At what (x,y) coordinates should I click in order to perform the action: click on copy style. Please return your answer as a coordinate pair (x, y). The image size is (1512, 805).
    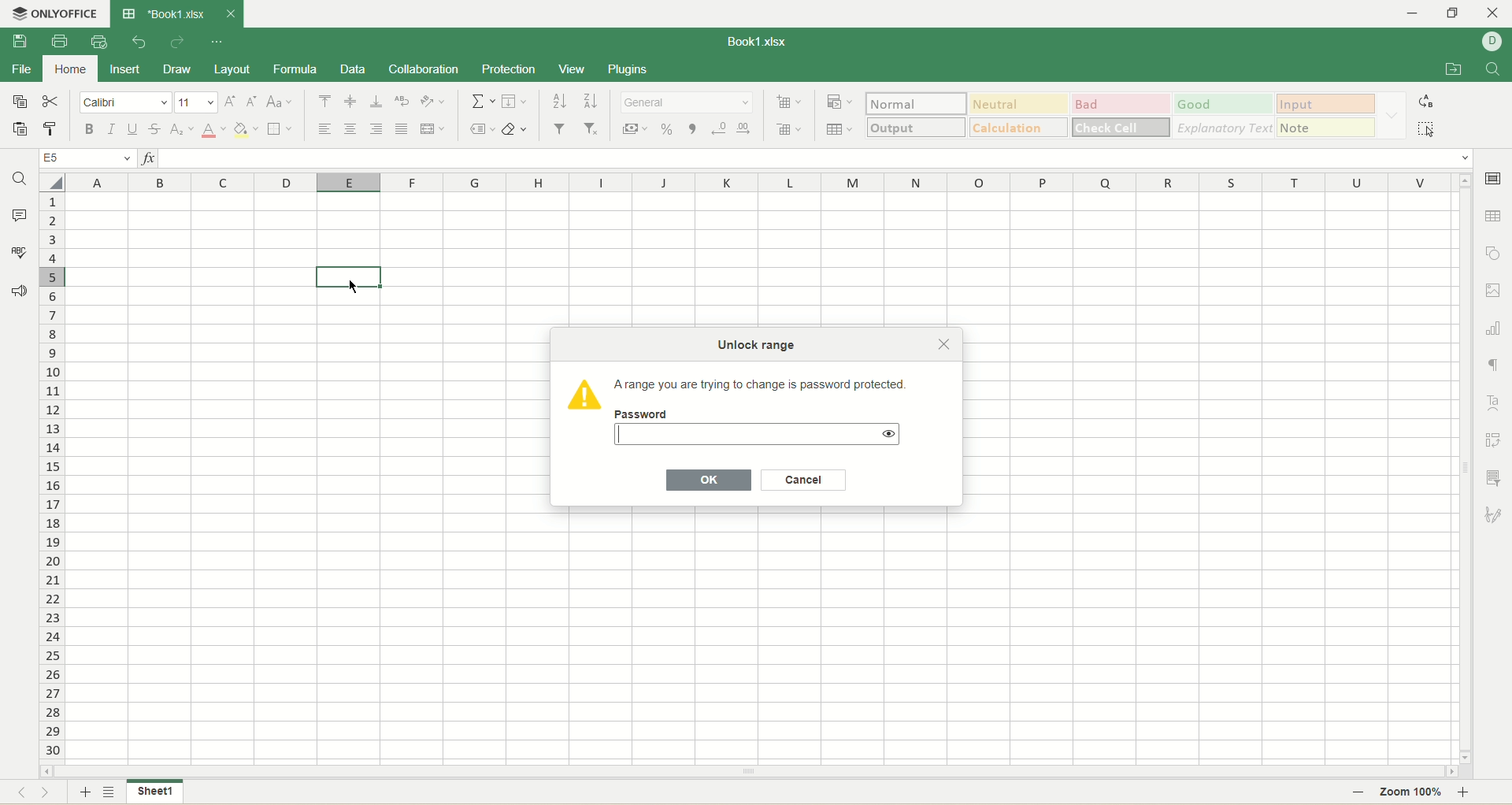
    Looking at the image, I should click on (53, 130).